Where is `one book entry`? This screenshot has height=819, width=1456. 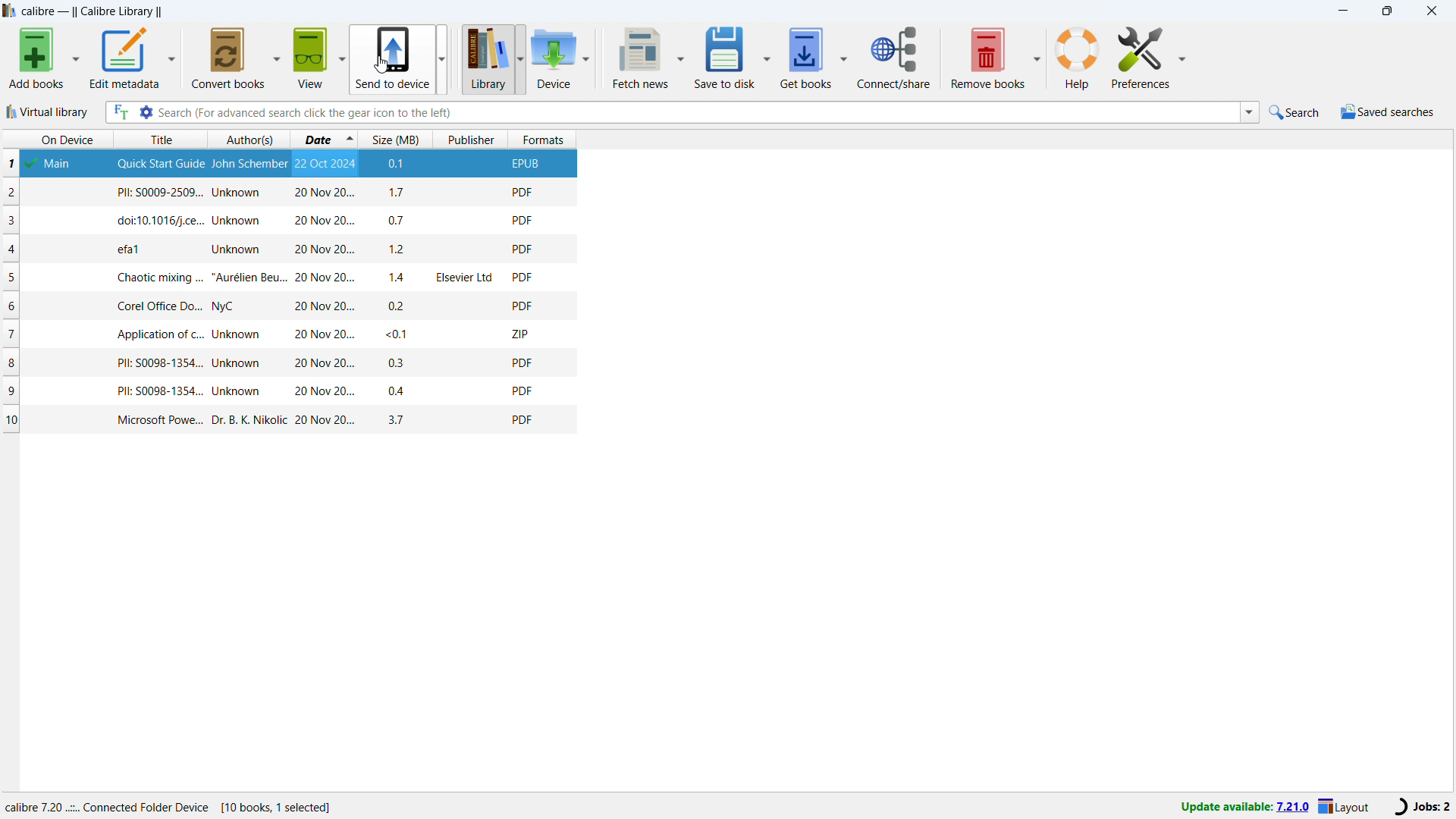 one book entry is located at coordinates (291, 419).